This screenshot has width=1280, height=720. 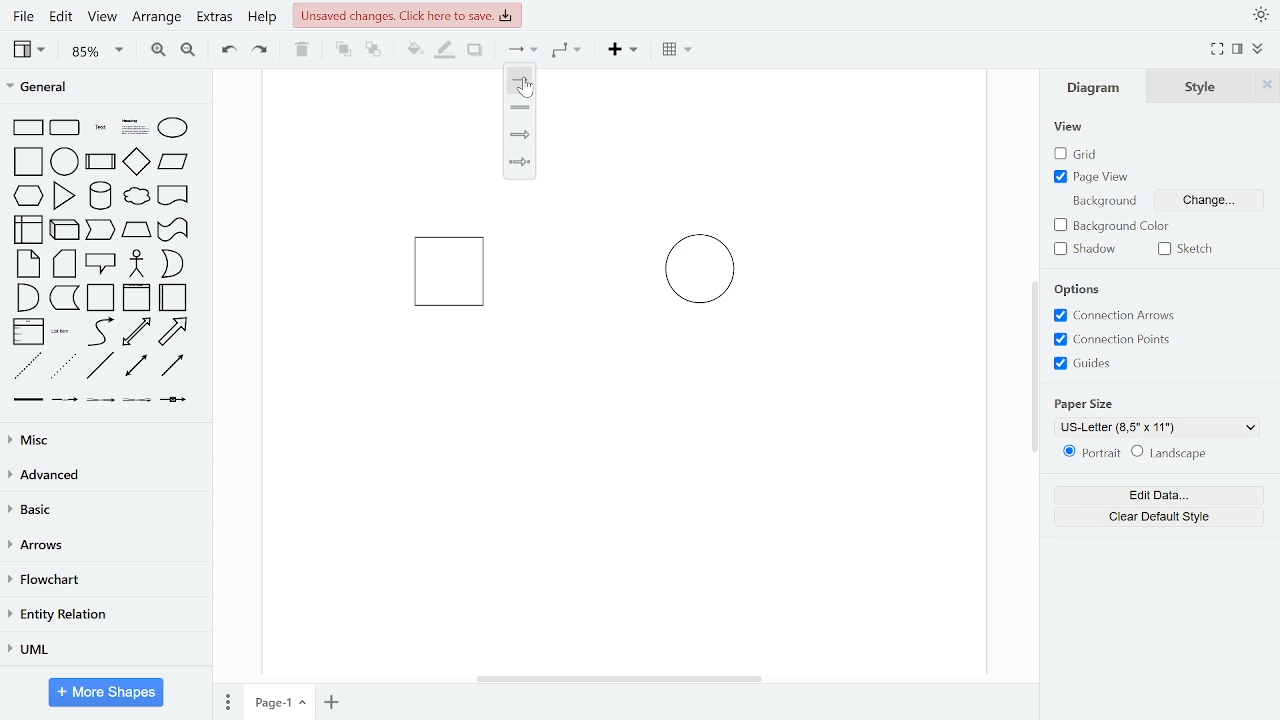 I want to click on delete, so click(x=302, y=49).